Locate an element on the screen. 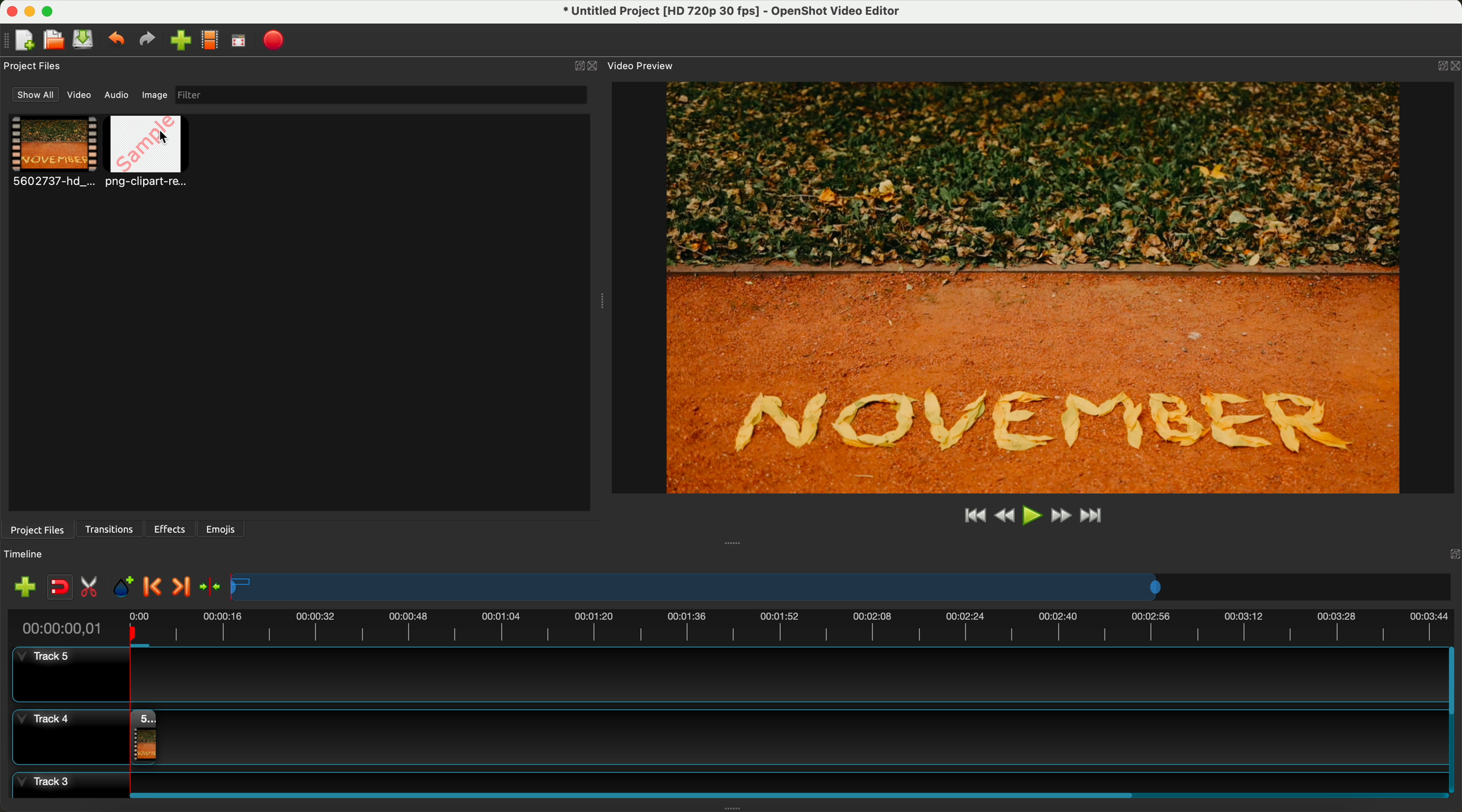 This screenshot has width=1462, height=812. minimize is located at coordinates (30, 14).